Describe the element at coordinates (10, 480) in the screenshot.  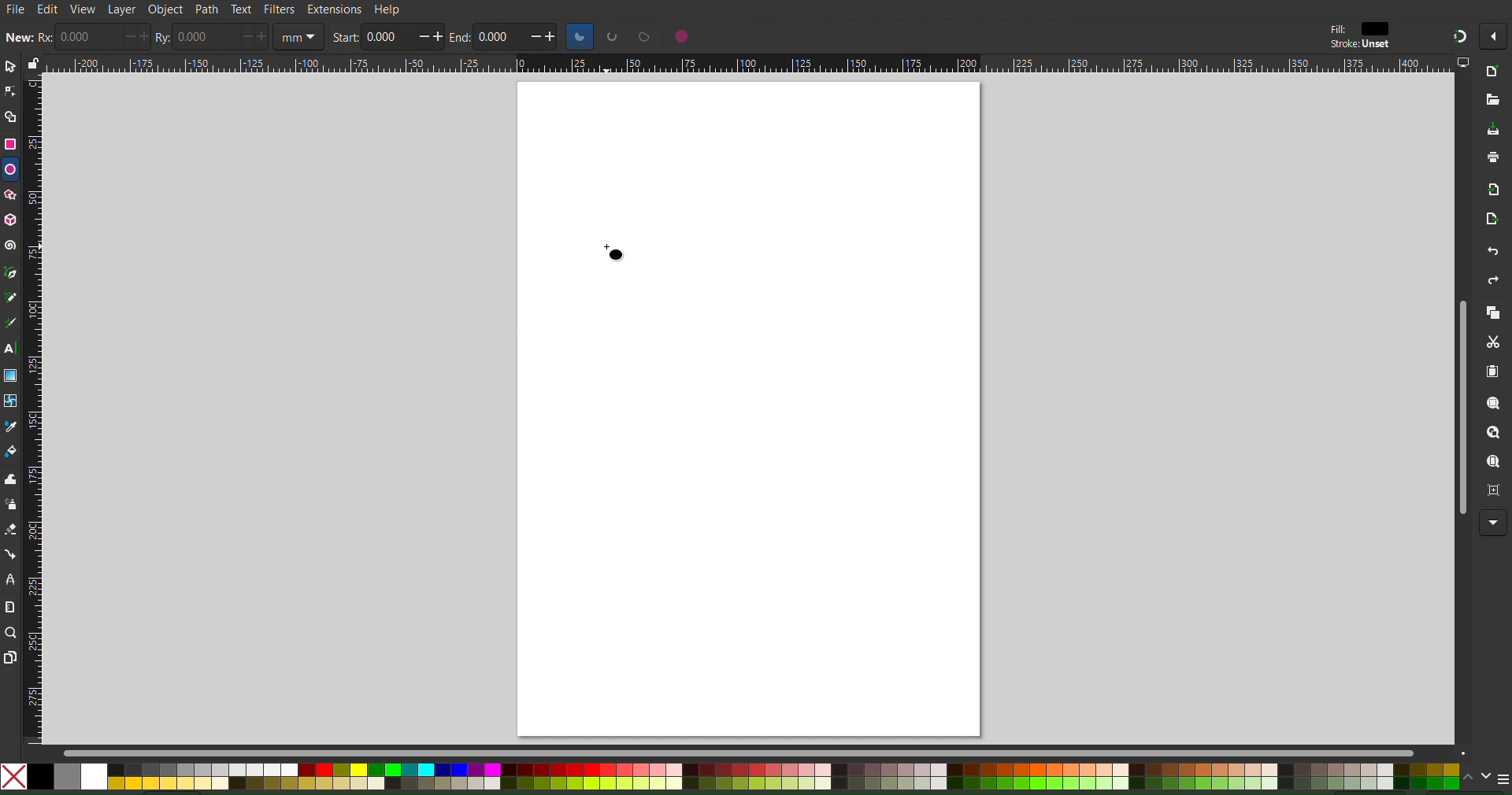
I see `Tweak Tool` at that location.